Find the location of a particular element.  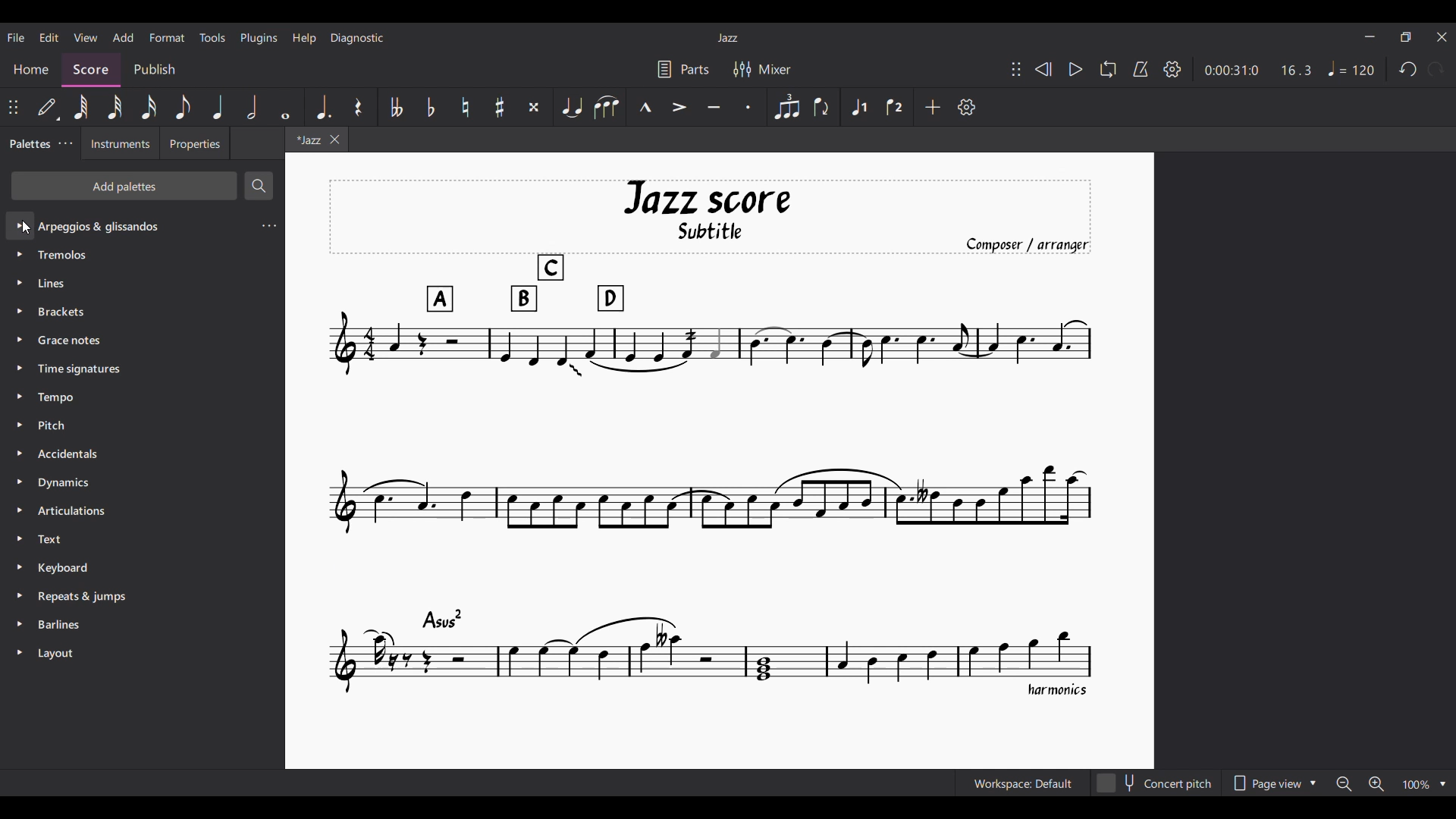

Palettes is located at coordinates (28, 148).